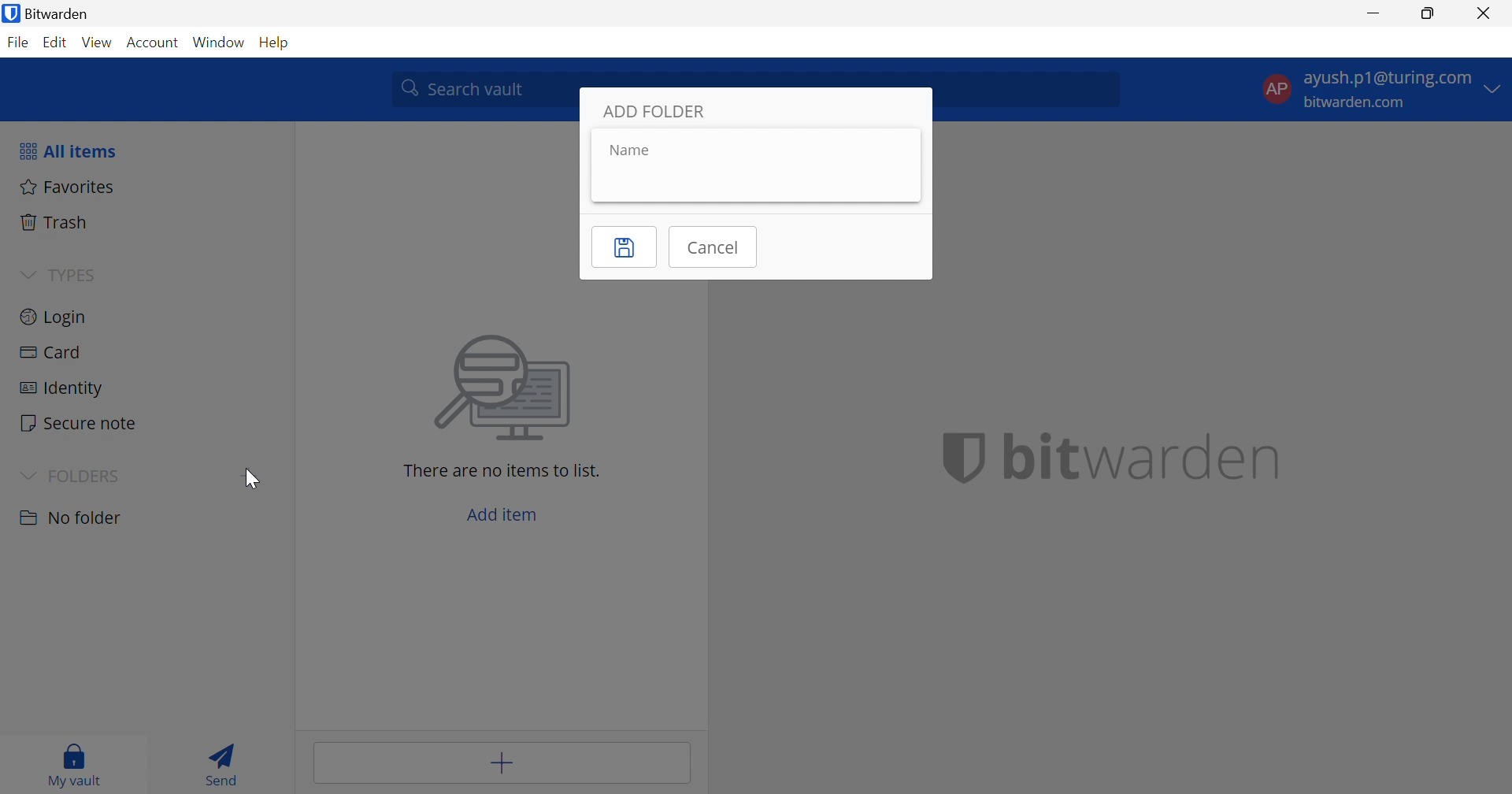  I want to click on account options, so click(1381, 91).